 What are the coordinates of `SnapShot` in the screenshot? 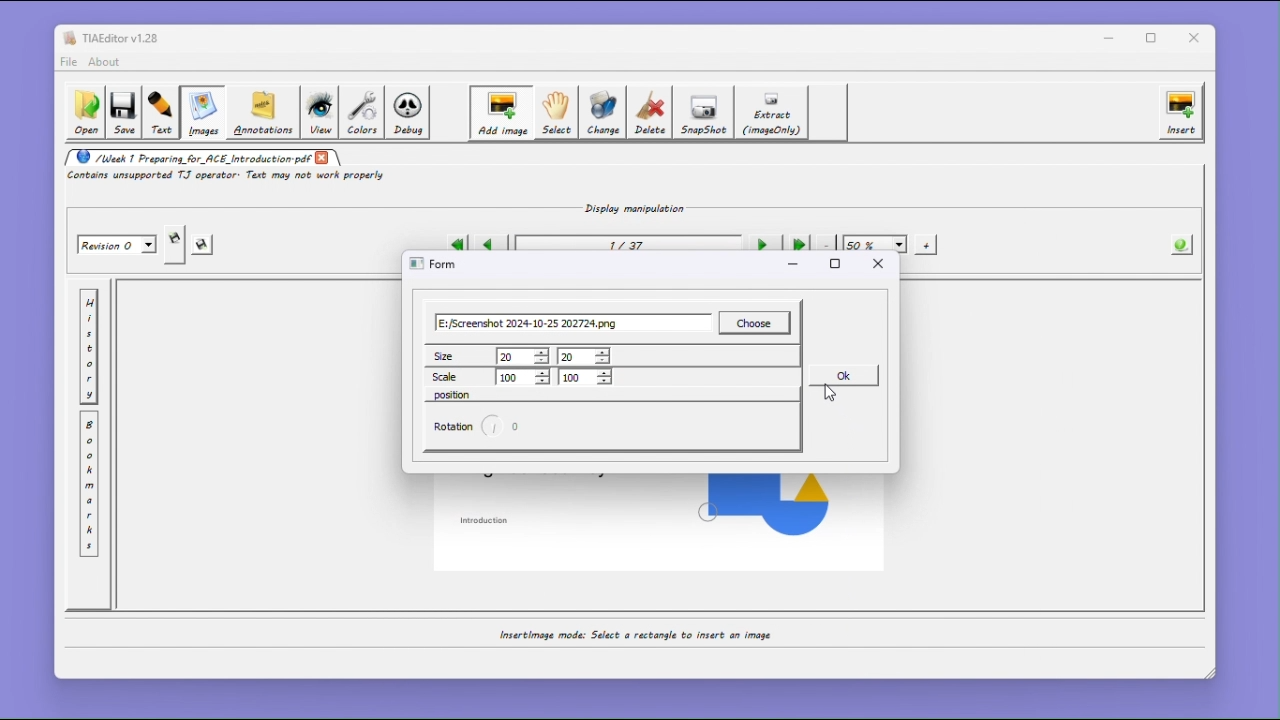 It's located at (706, 113).